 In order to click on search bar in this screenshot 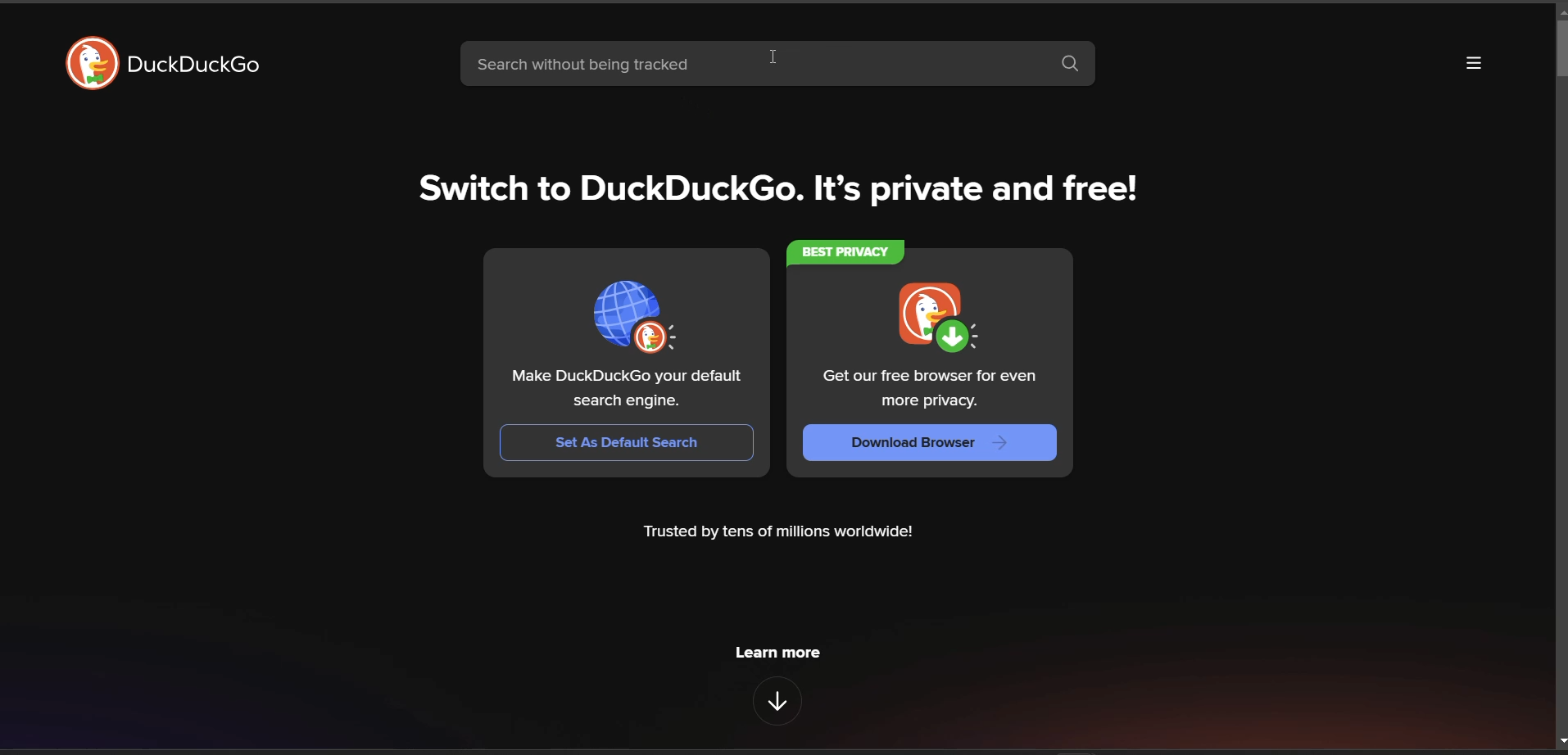, I will do `click(741, 66)`.